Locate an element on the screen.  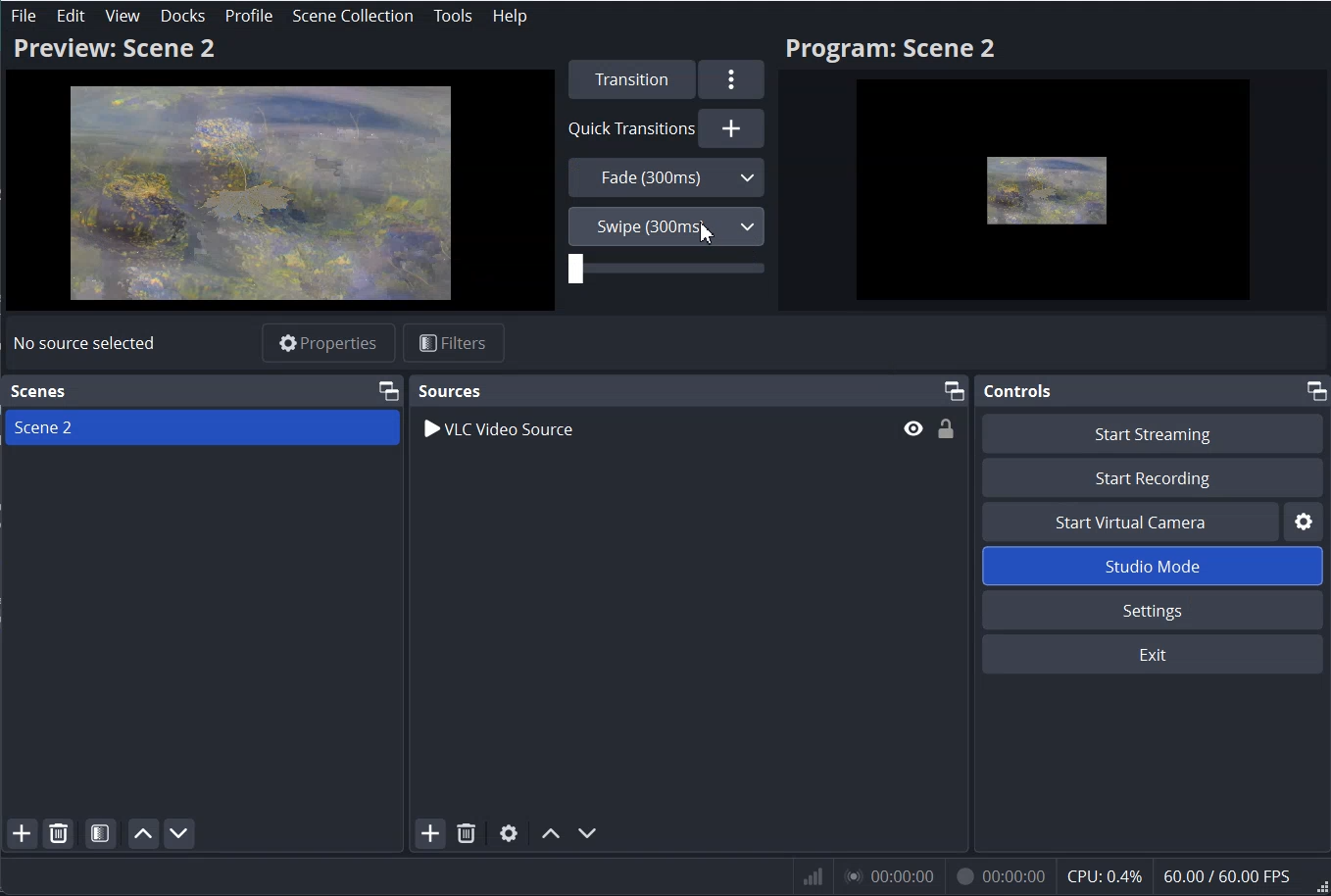
Transition is located at coordinates (630, 78).